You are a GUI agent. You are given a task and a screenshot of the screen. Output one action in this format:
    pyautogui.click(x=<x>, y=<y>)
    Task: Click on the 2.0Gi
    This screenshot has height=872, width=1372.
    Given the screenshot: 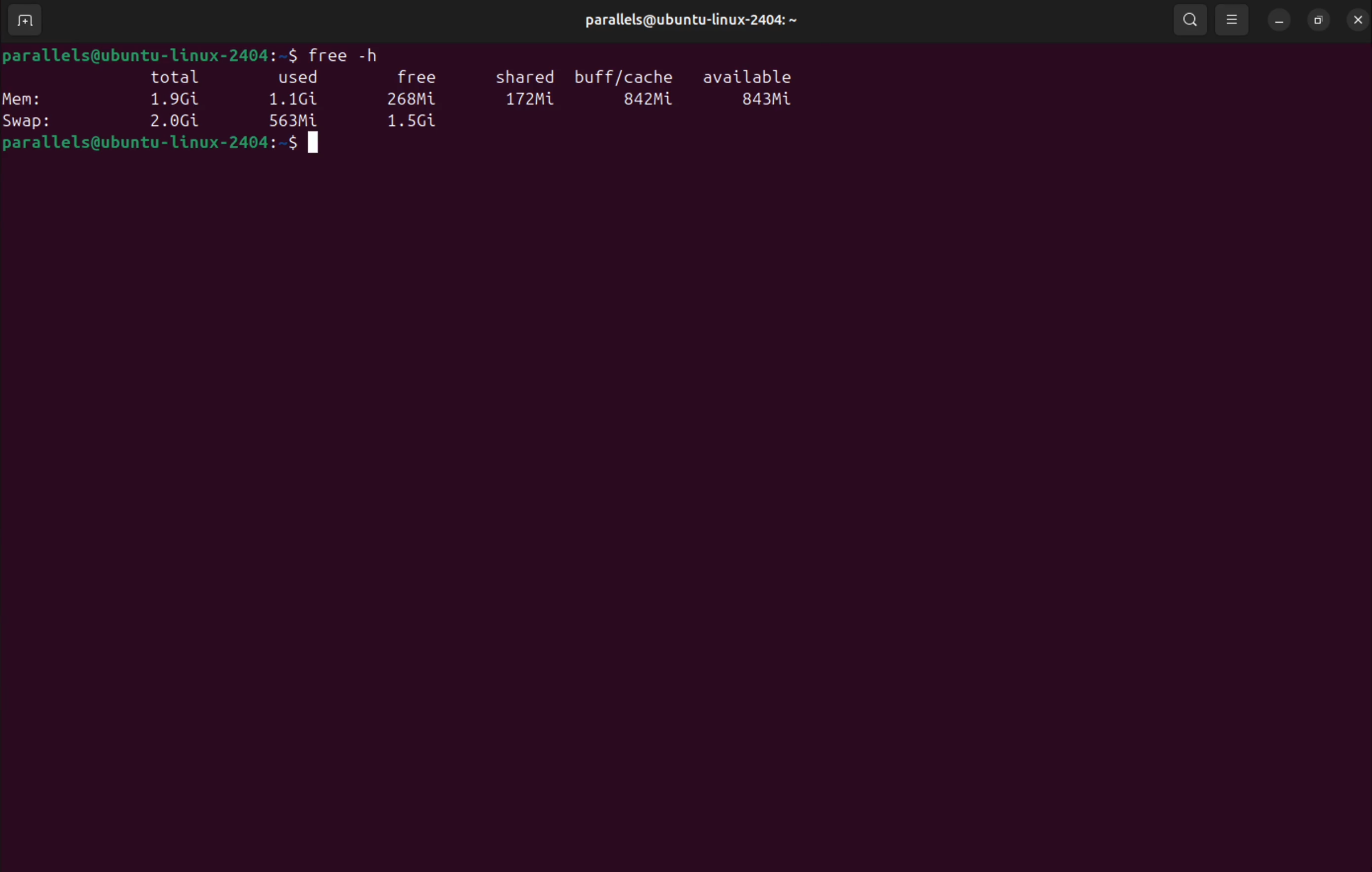 What is the action you would take?
    pyautogui.click(x=176, y=120)
    